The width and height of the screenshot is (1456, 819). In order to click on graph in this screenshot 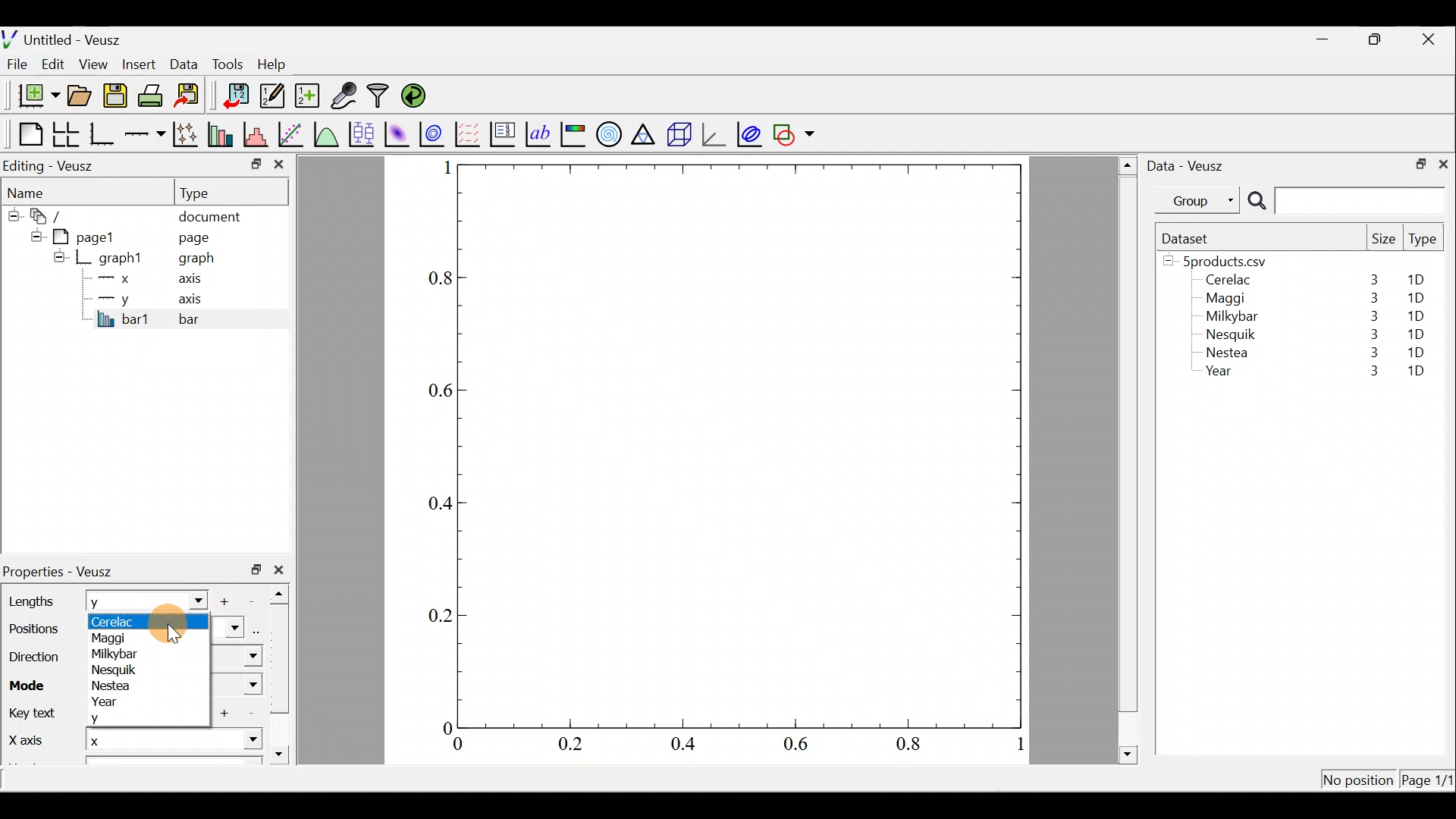, I will do `click(196, 260)`.